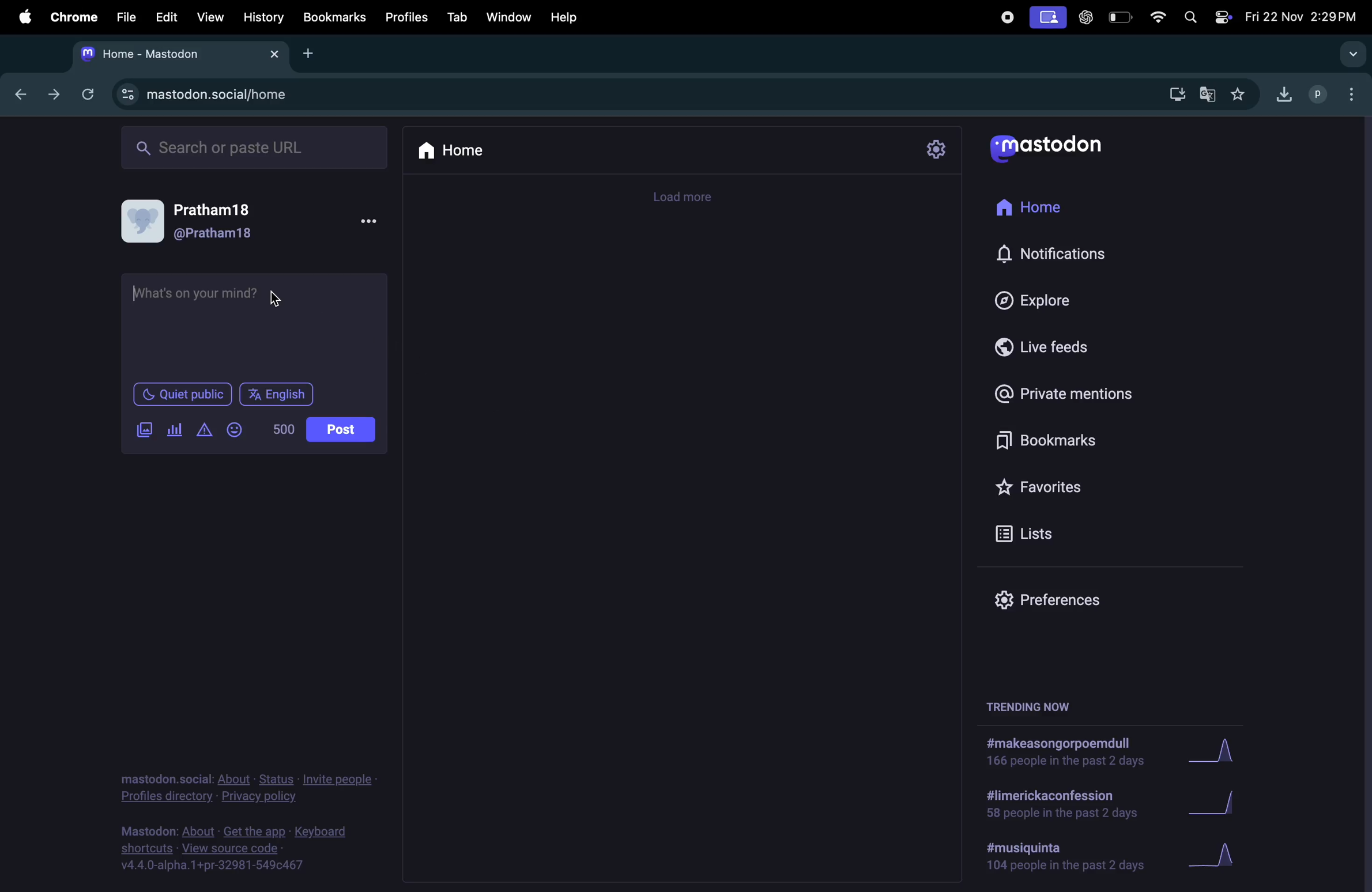 The height and width of the screenshot is (892, 1372). What do you see at coordinates (1283, 95) in the screenshot?
I see `downloads` at bounding box center [1283, 95].